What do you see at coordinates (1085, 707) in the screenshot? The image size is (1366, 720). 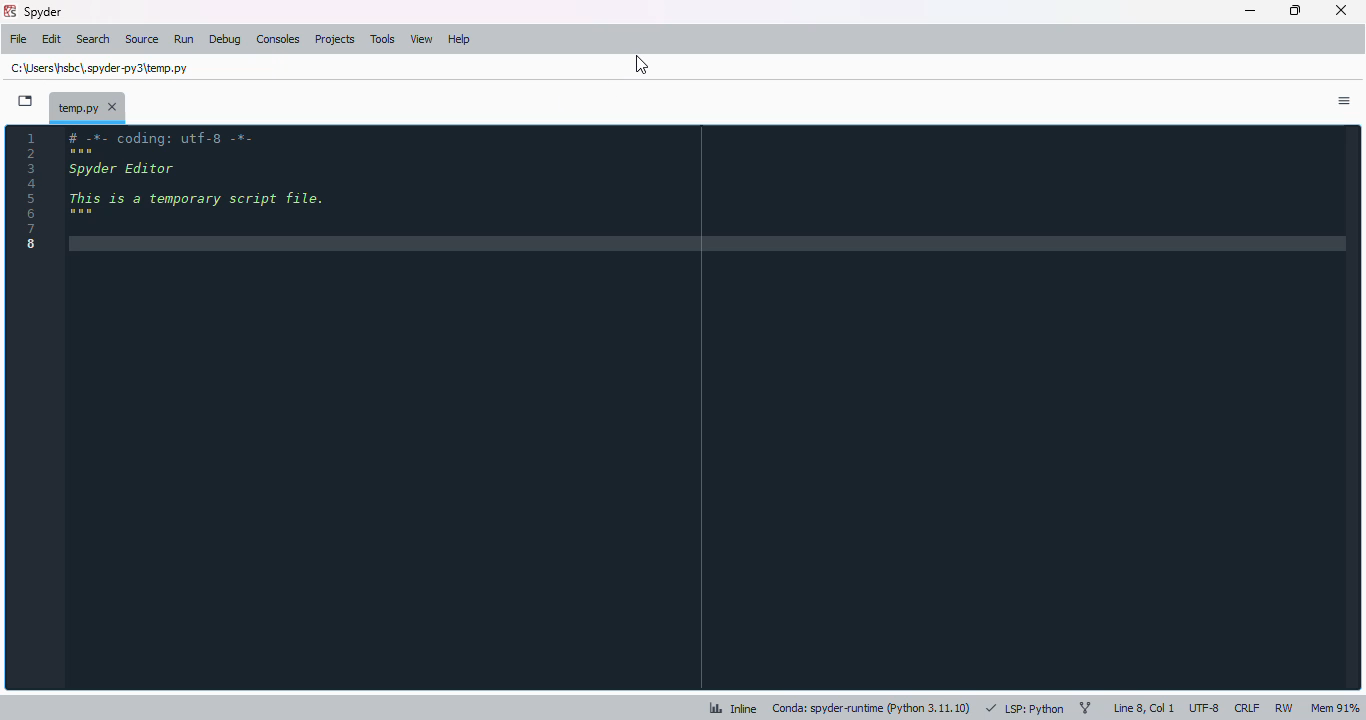 I see `git branch` at bounding box center [1085, 707].